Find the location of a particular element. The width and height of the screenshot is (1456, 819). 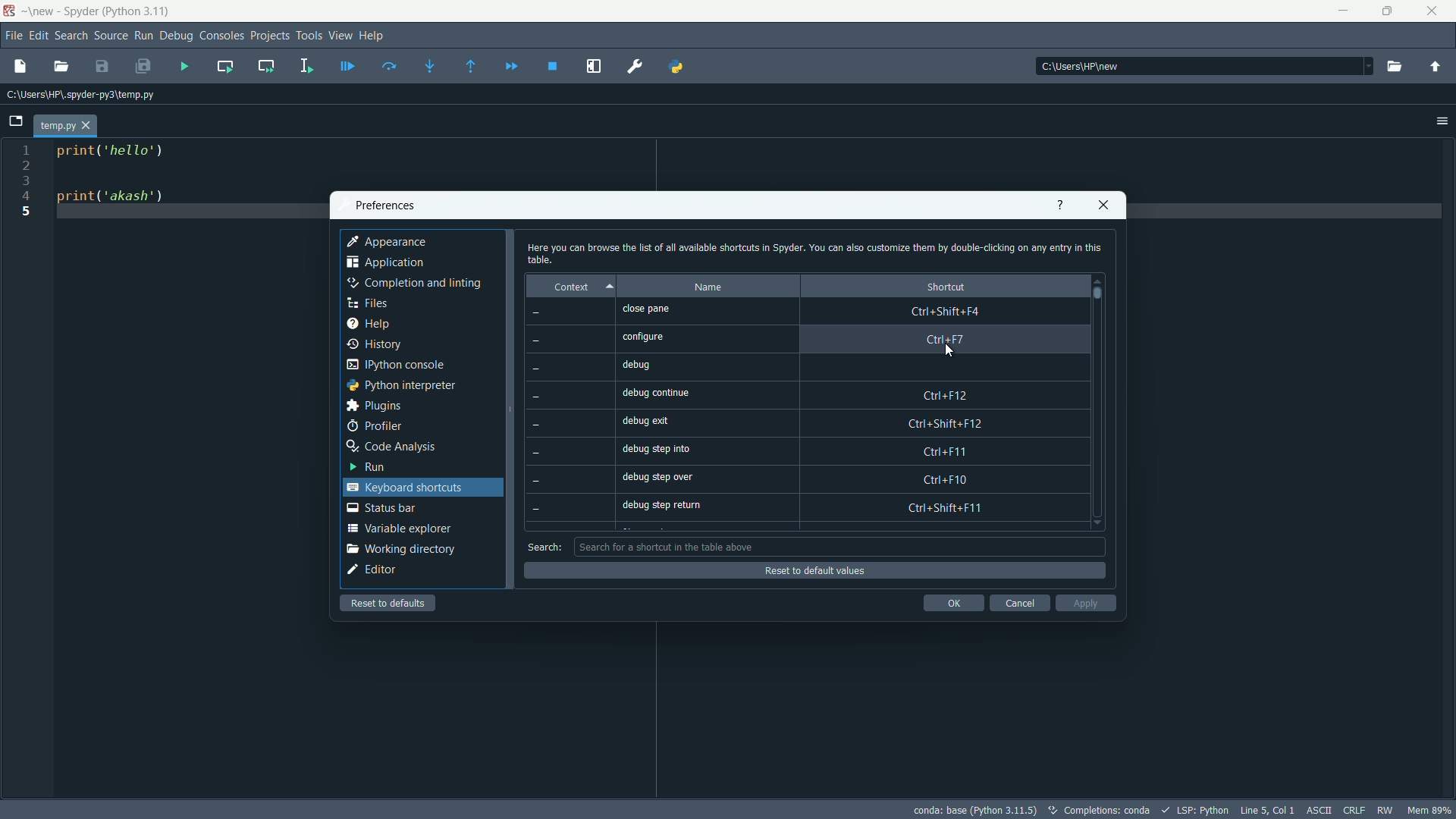

file encoding is located at coordinates (1316, 809).